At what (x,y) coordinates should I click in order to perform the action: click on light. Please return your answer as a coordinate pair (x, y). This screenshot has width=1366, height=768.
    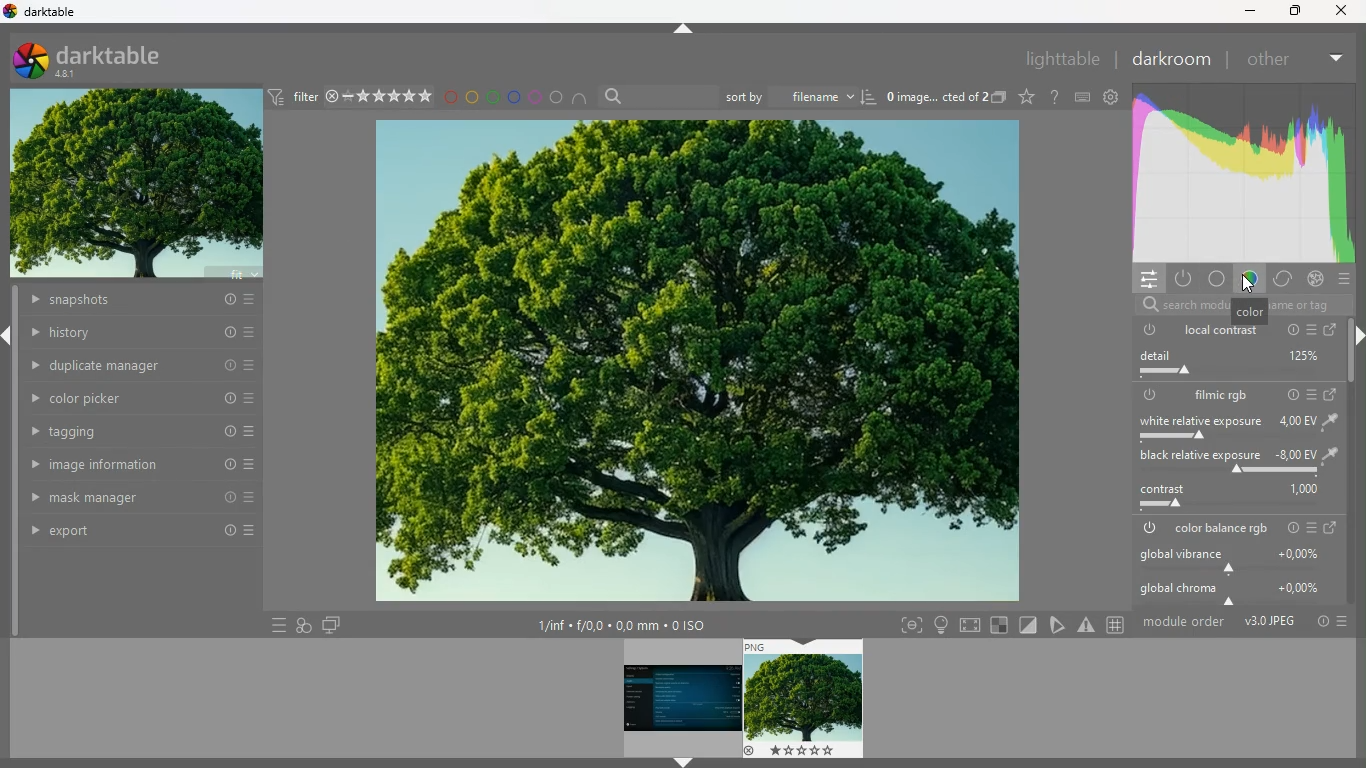
    Looking at the image, I should click on (941, 625).